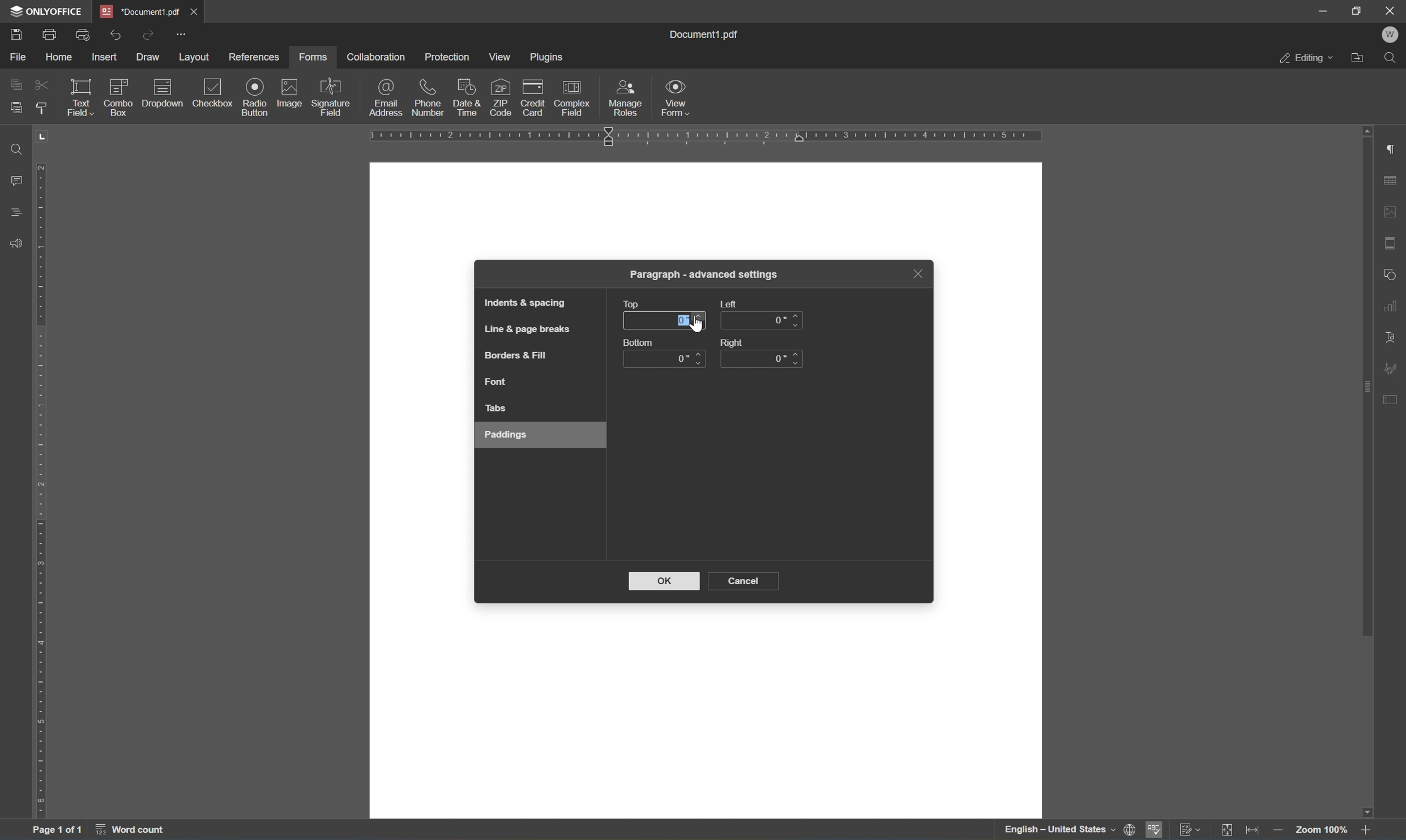  I want to click on button, so click(638, 342).